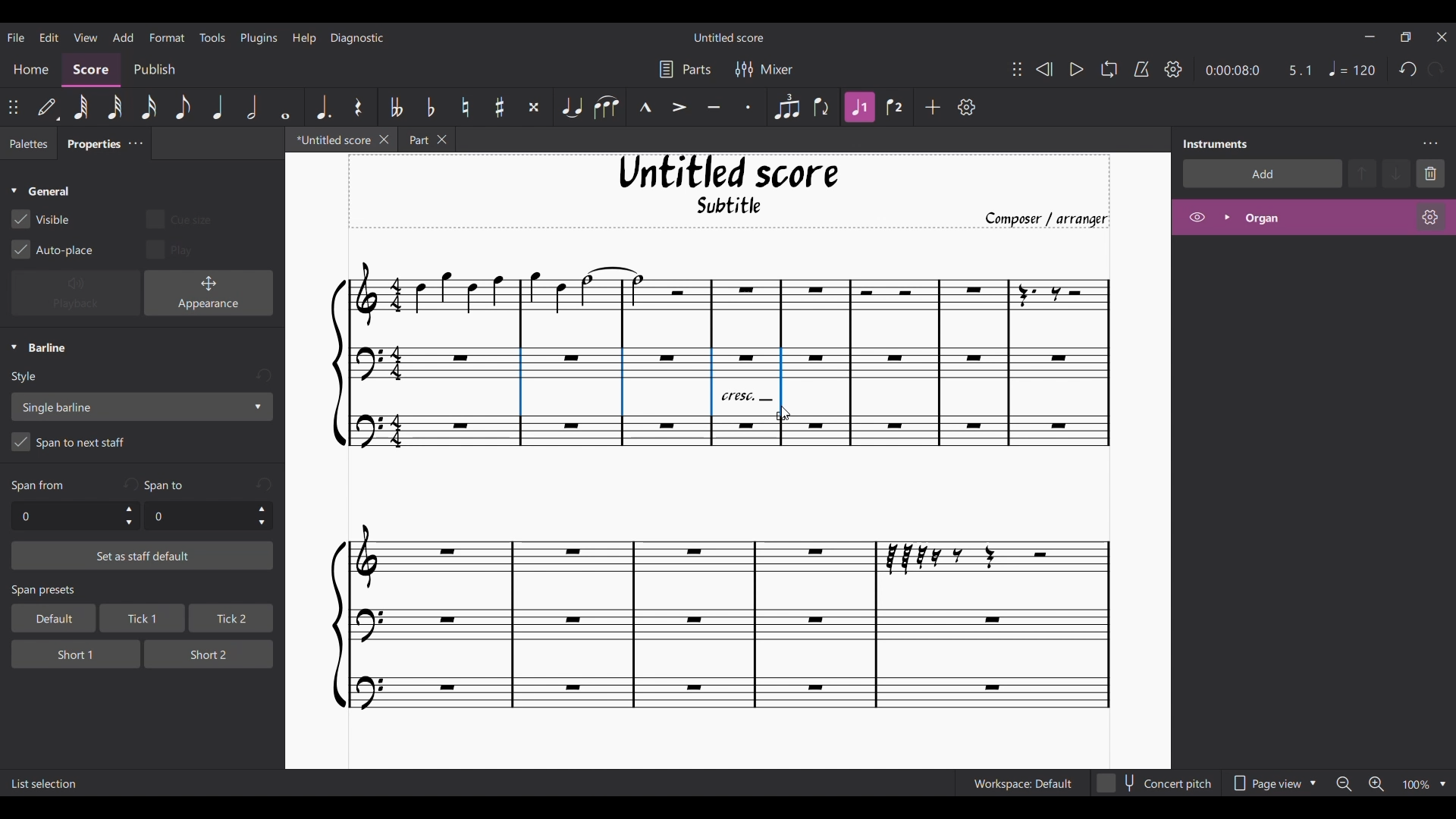  Describe the element at coordinates (1155, 783) in the screenshot. I see `Toggle for Concert pitch` at that location.